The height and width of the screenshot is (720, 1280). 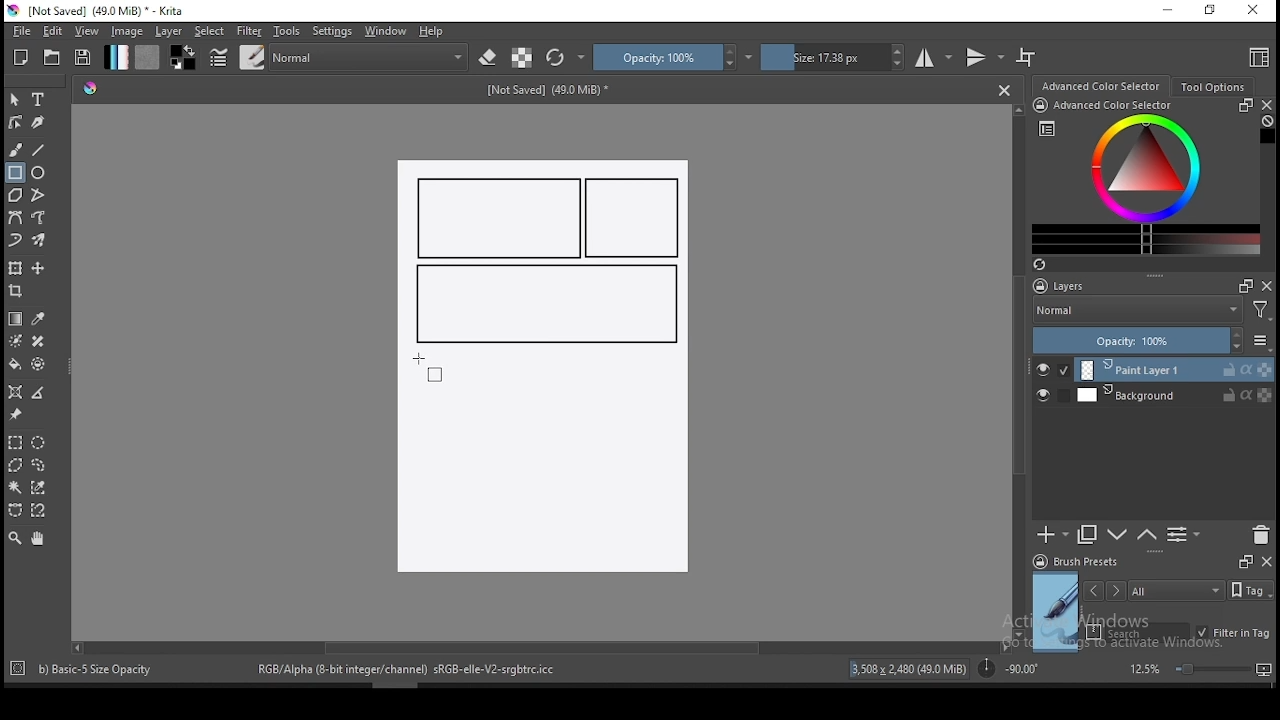 I want to click on transform a layer or a selection, so click(x=15, y=267).